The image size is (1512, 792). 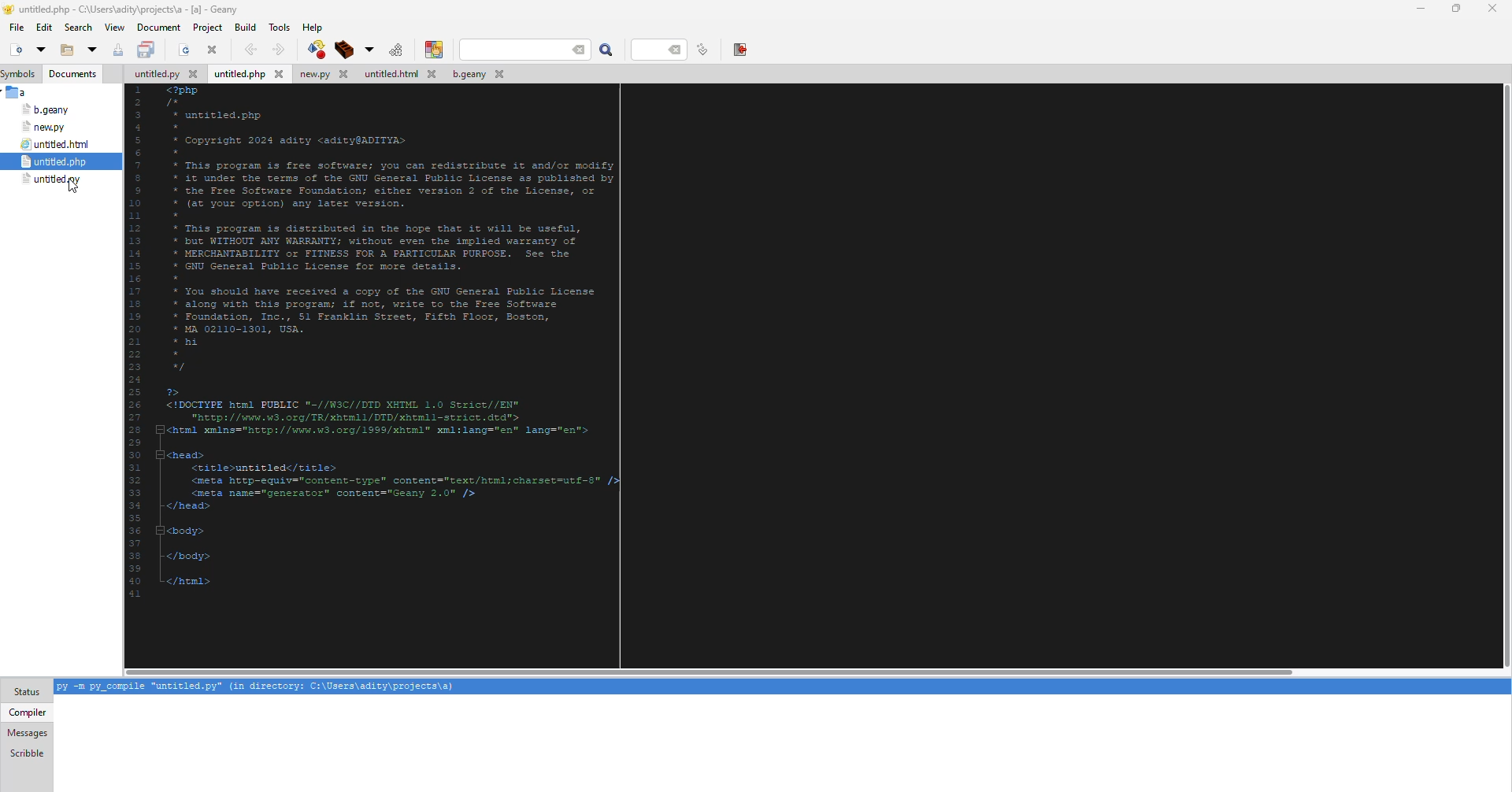 What do you see at coordinates (328, 74) in the screenshot?
I see `new.py` at bounding box center [328, 74].